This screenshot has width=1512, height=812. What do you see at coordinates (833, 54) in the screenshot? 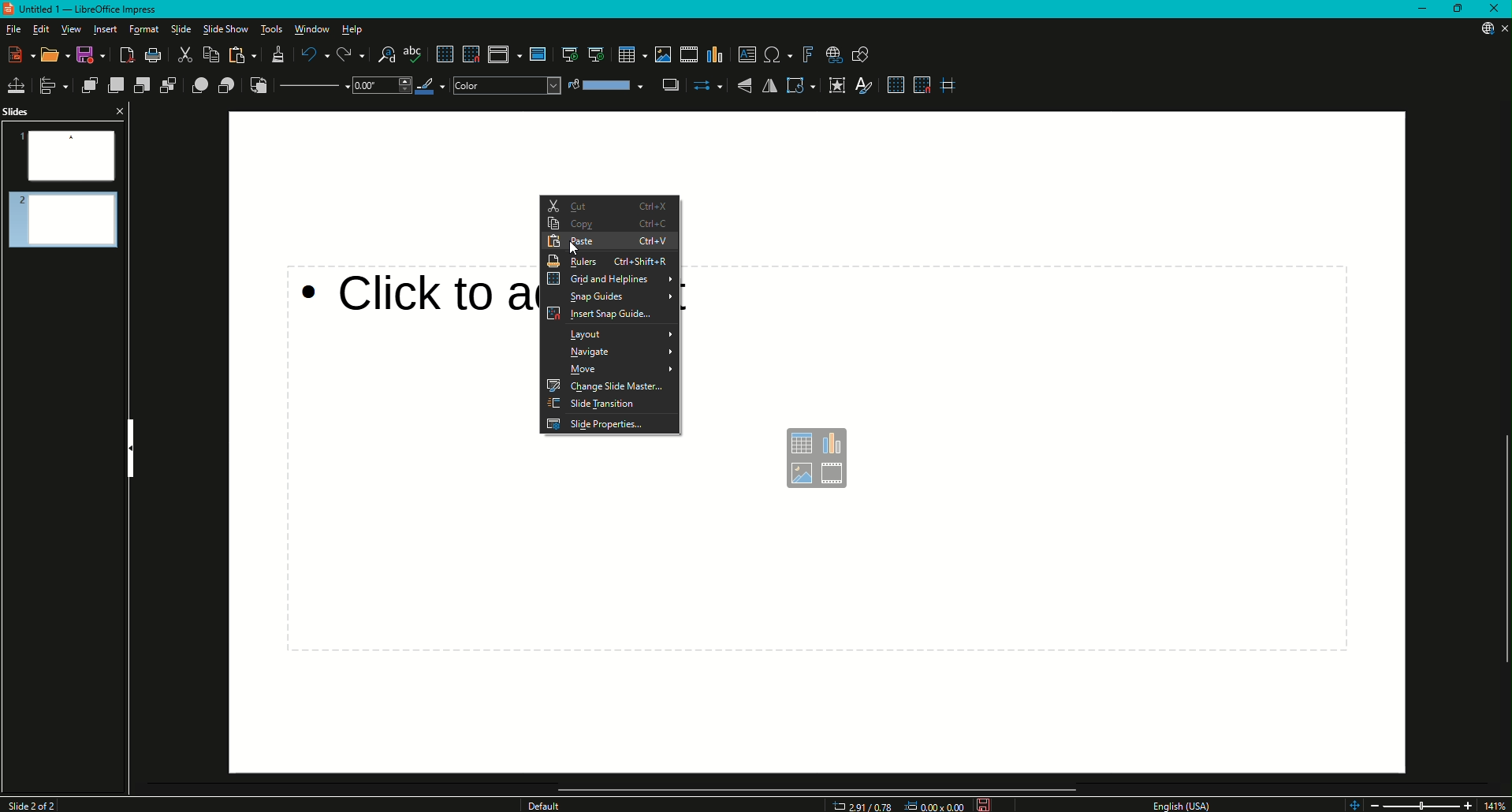
I see `Show Draw Function` at bounding box center [833, 54].